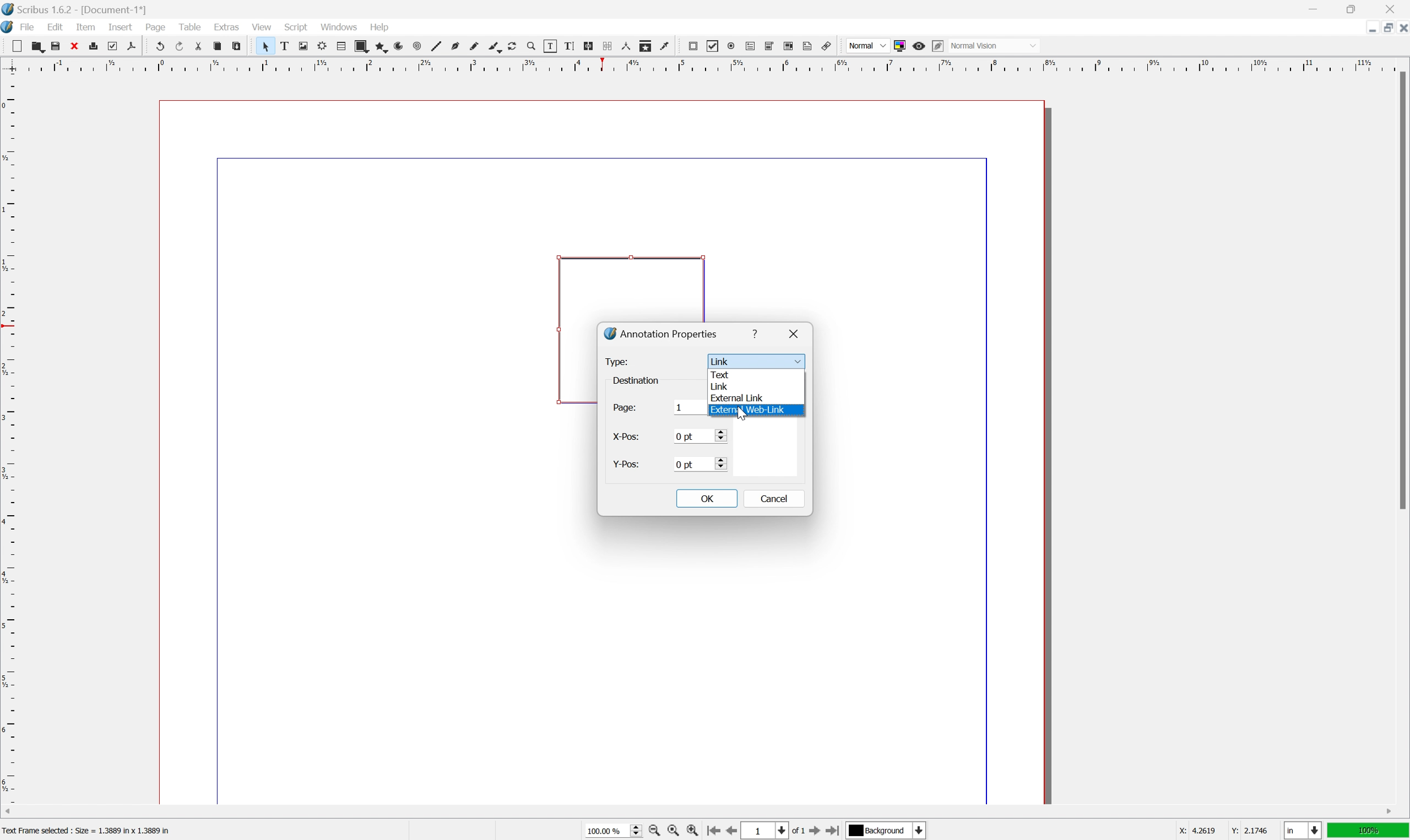 The height and width of the screenshot is (840, 1410). Describe the element at coordinates (341, 46) in the screenshot. I see `table` at that location.